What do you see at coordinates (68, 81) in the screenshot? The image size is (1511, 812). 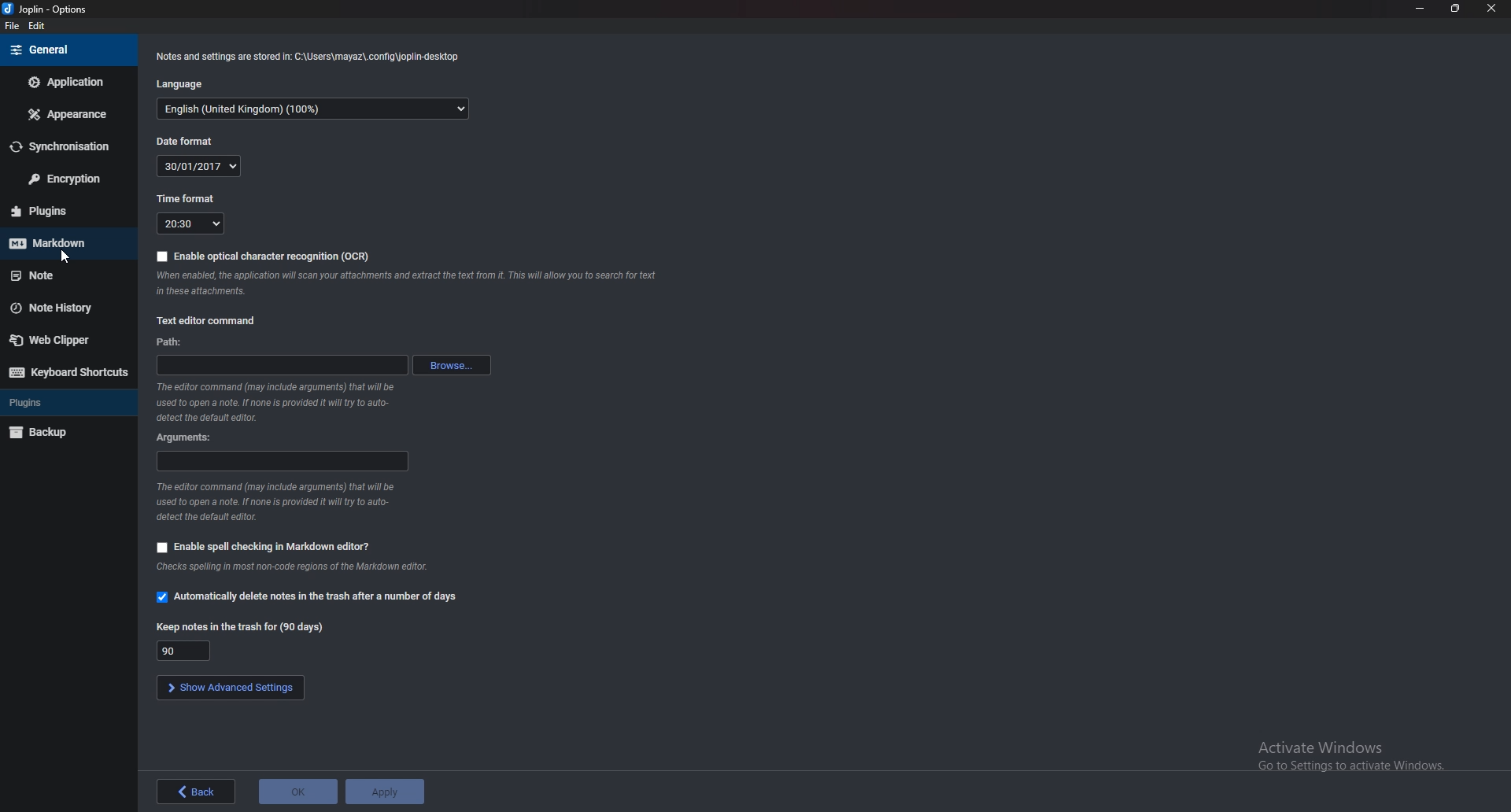 I see `application` at bounding box center [68, 81].